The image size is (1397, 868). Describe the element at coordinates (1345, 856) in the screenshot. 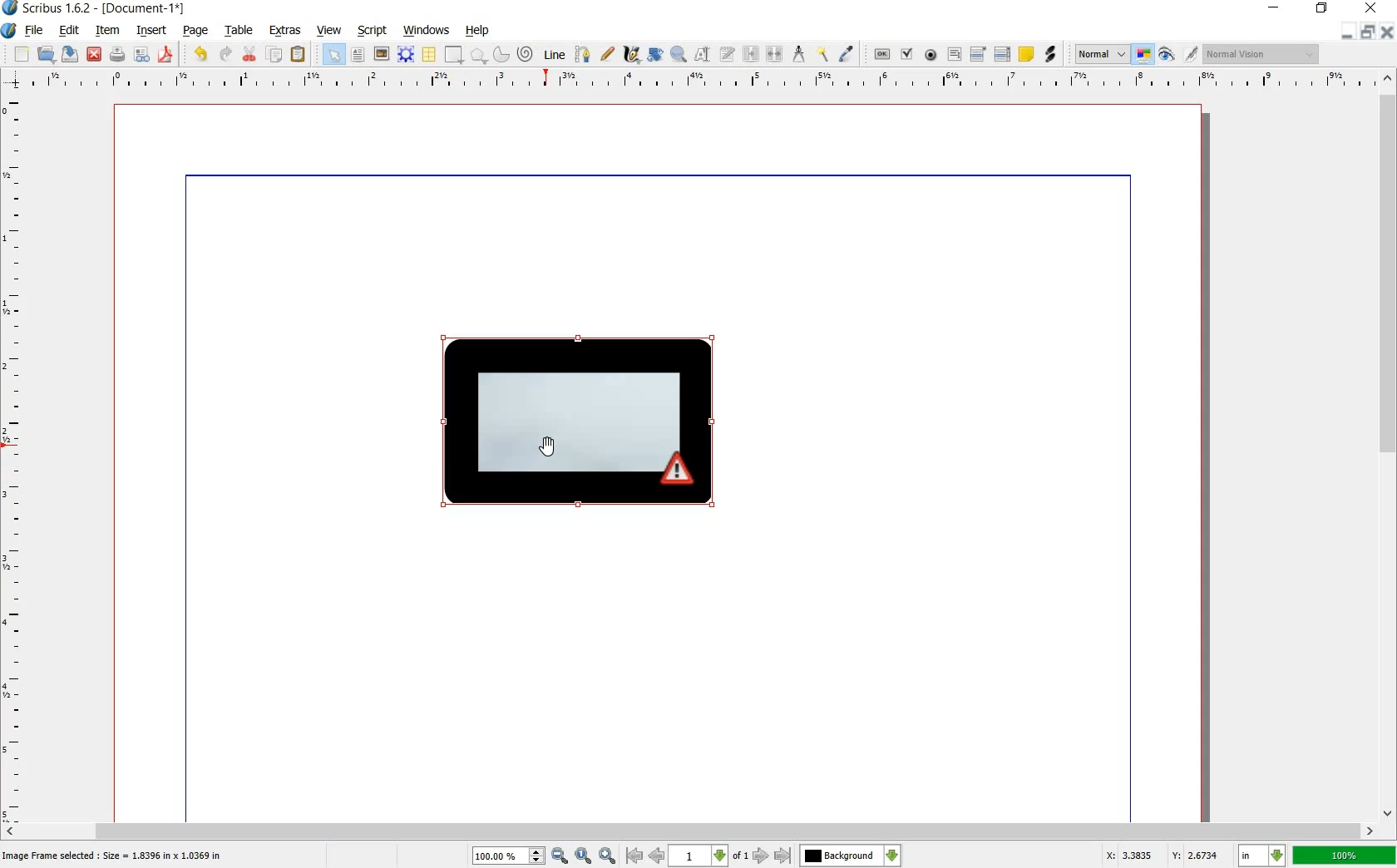

I see `zoom factor` at that location.